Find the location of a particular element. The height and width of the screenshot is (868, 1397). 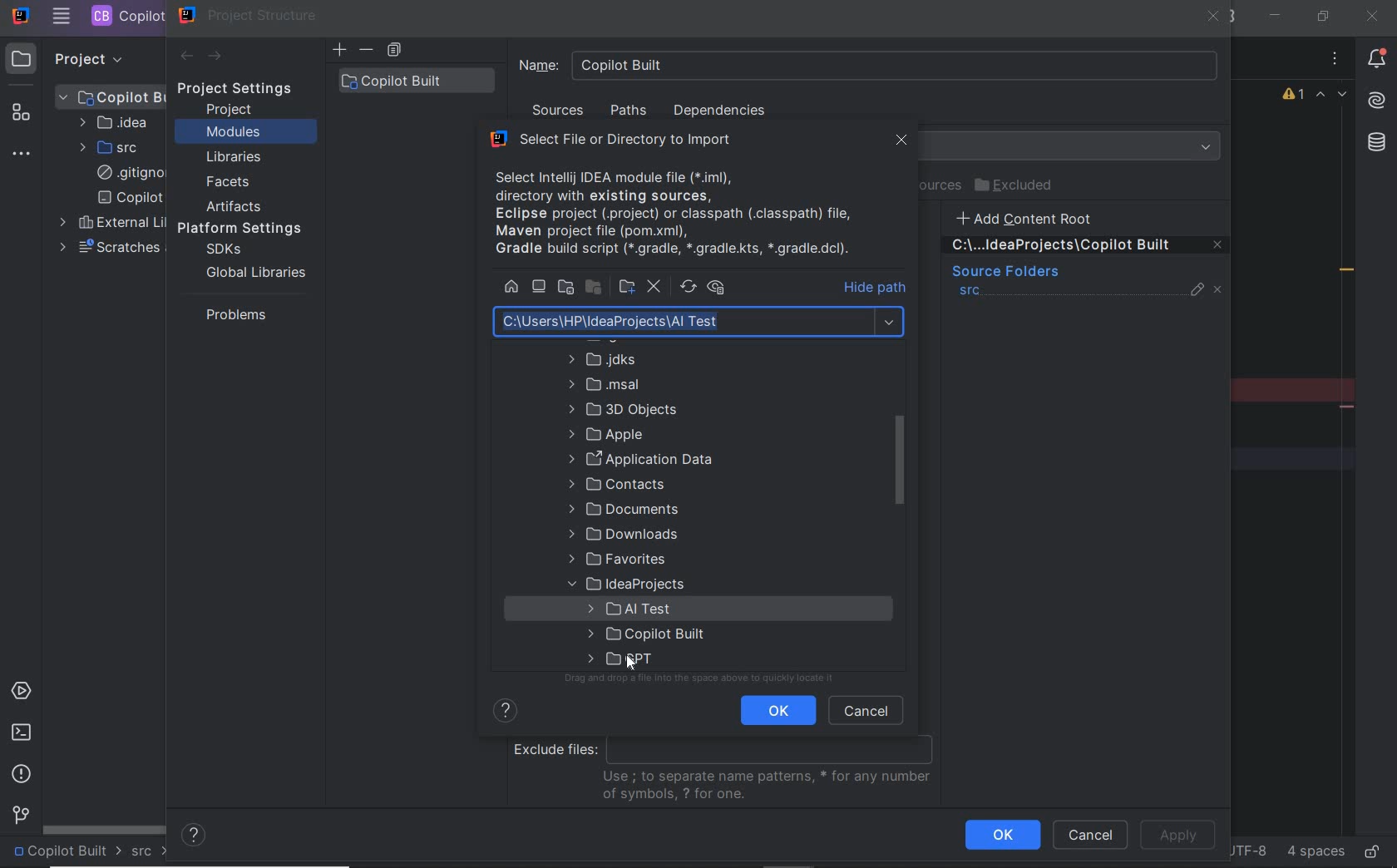

next is located at coordinates (216, 57).